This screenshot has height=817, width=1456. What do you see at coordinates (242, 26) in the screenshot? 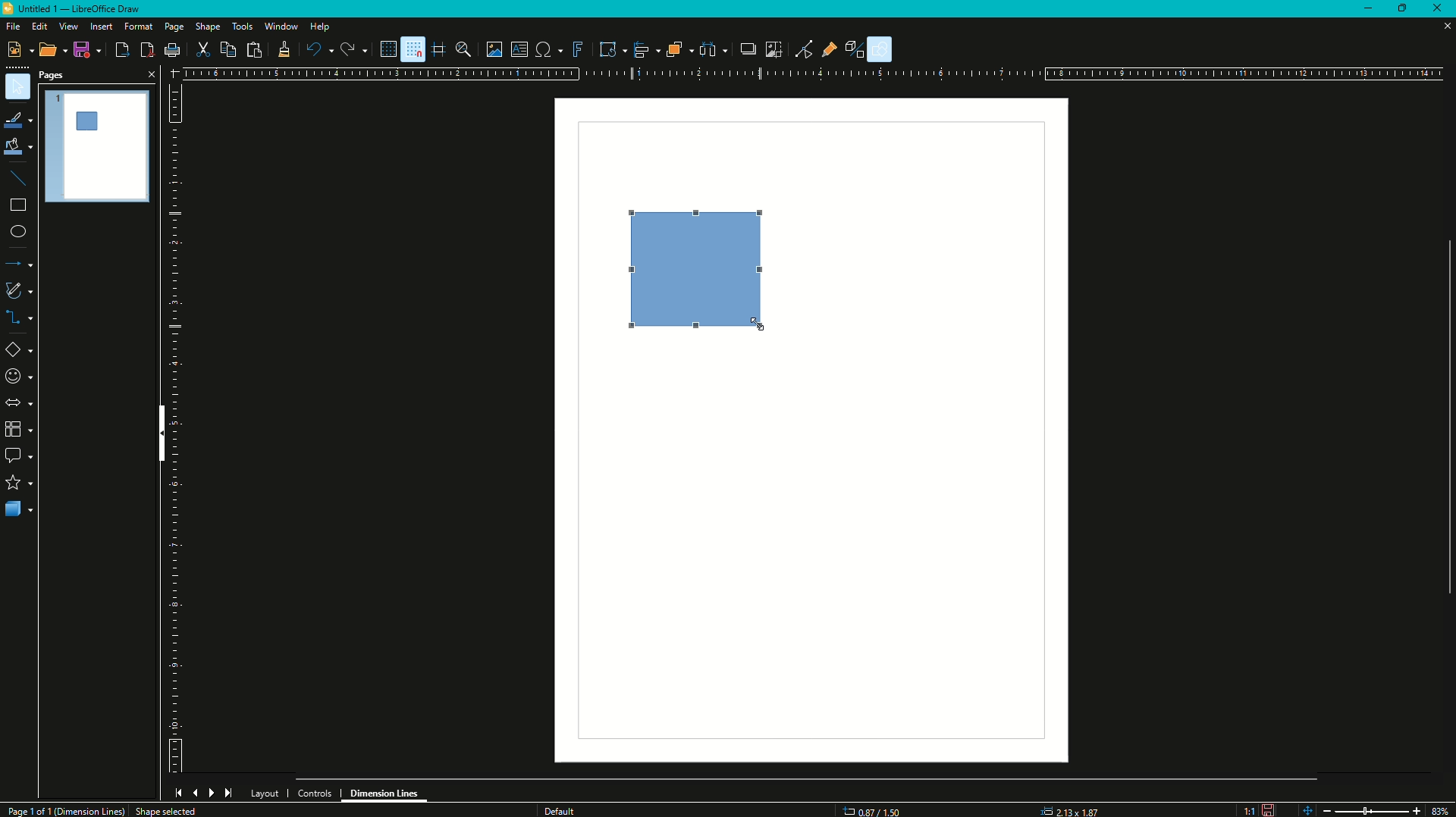
I see `Tools` at bounding box center [242, 26].